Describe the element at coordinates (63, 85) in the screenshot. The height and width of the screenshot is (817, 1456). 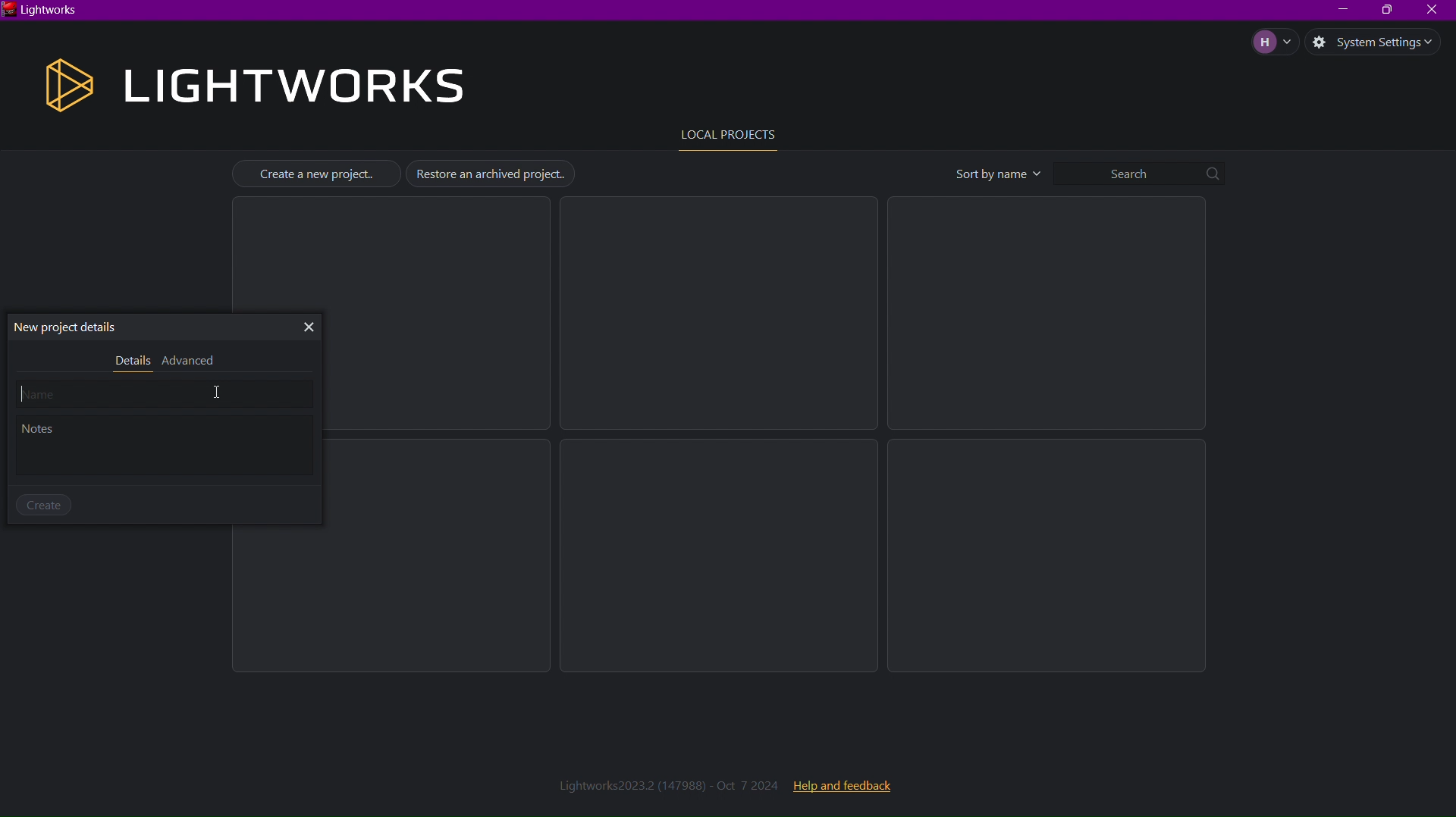
I see `Logo` at that location.